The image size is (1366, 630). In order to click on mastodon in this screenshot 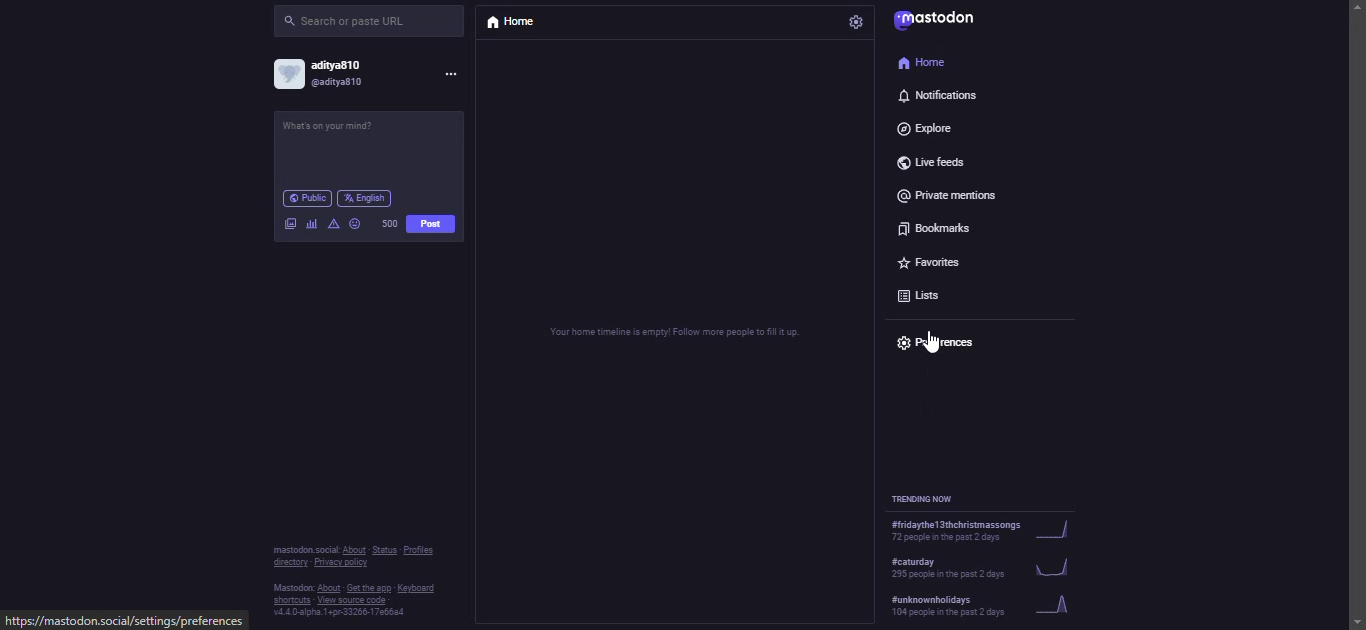, I will do `click(938, 18)`.